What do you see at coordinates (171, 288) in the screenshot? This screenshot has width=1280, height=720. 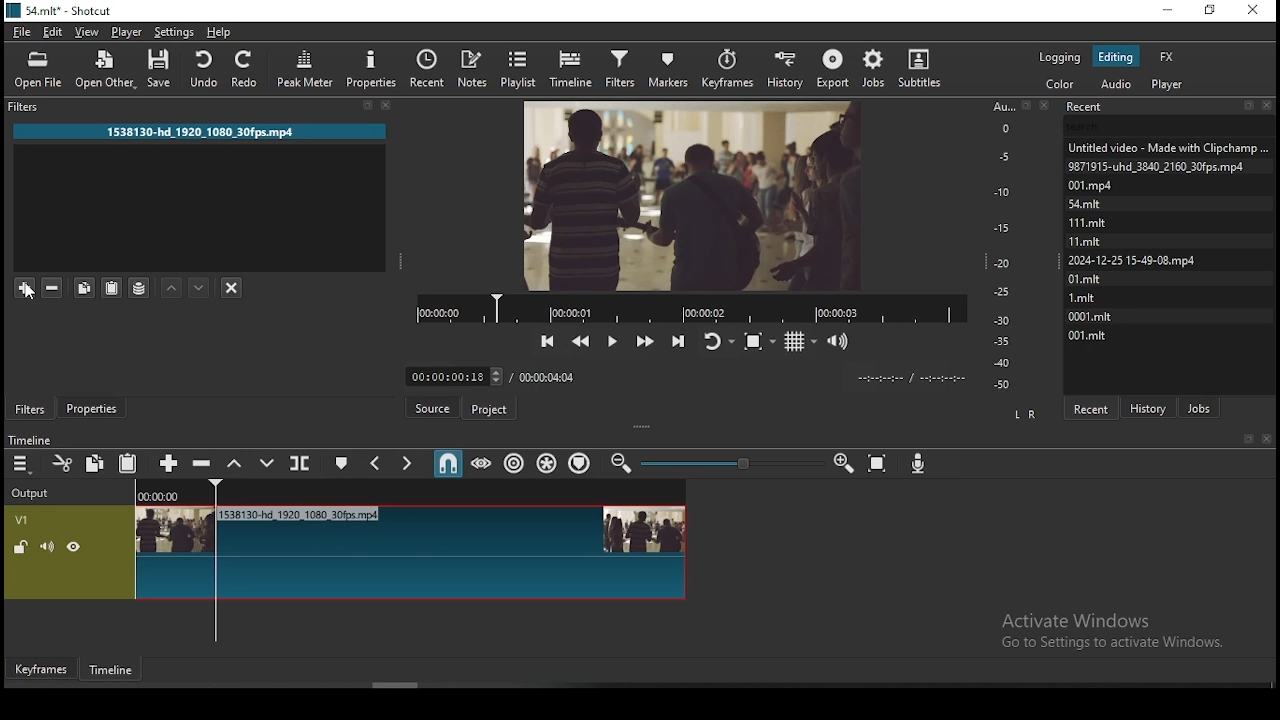 I see `move filter up` at bounding box center [171, 288].